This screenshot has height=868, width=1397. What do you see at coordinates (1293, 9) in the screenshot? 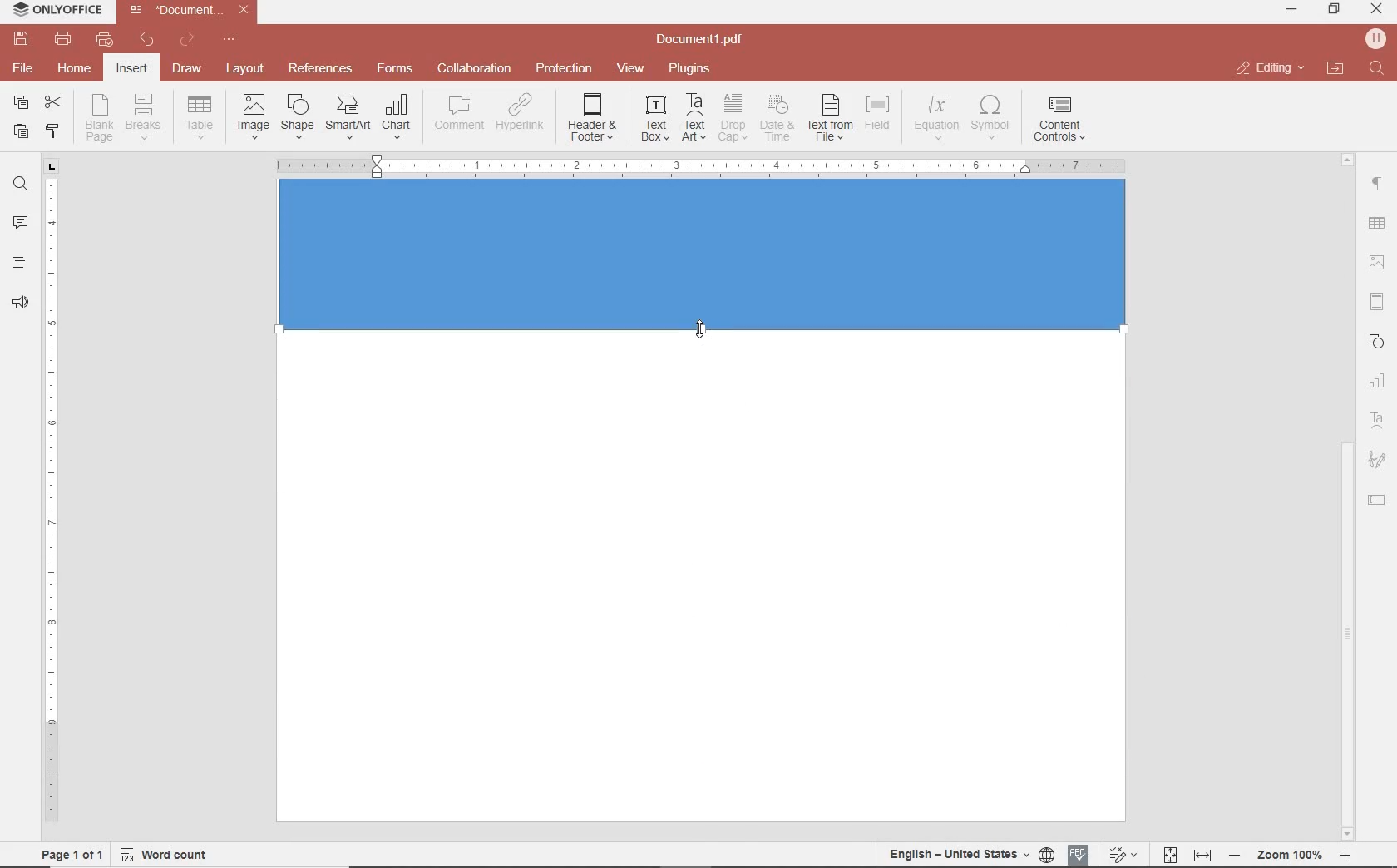
I see `minimize` at bounding box center [1293, 9].